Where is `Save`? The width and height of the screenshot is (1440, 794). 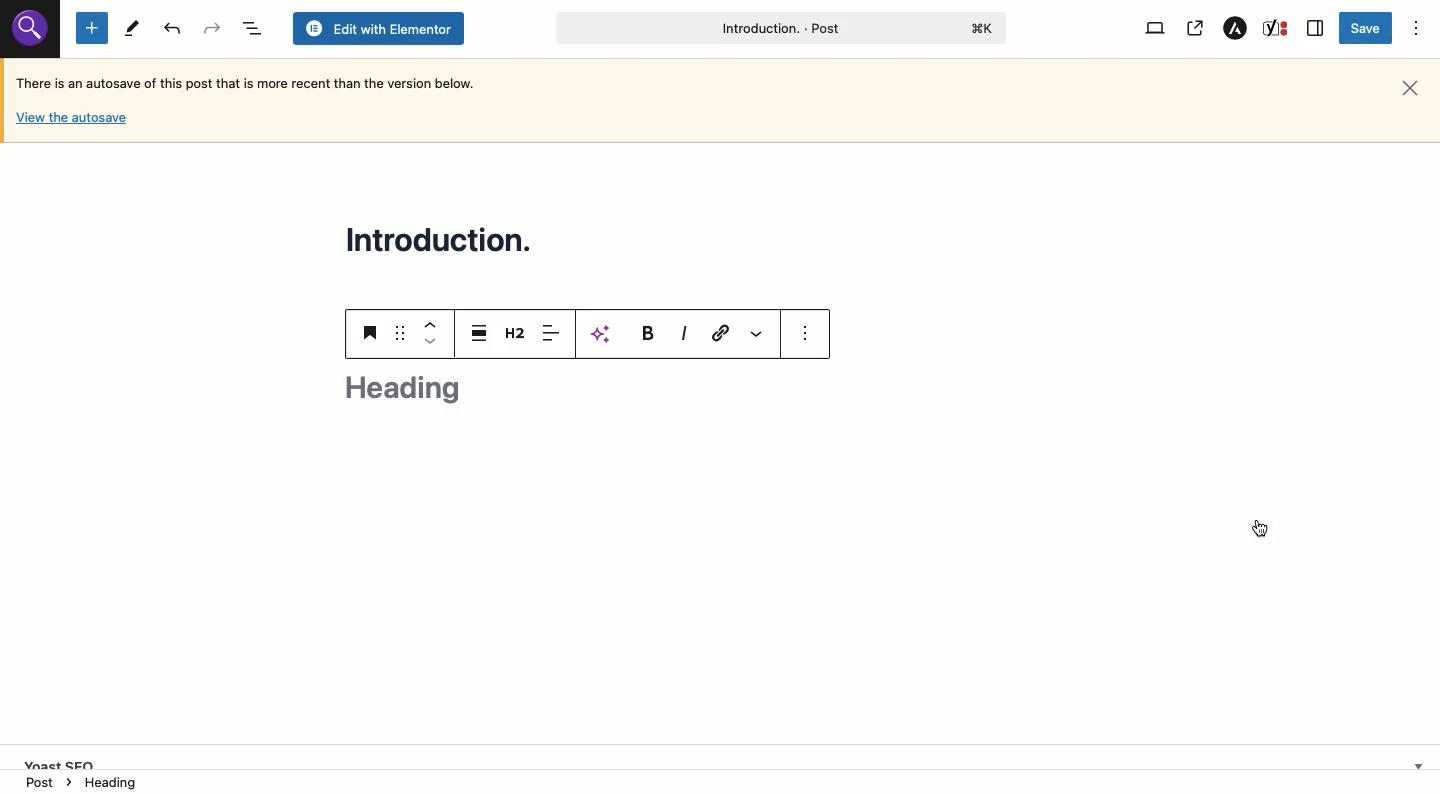 Save is located at coordinates (1368, 28).